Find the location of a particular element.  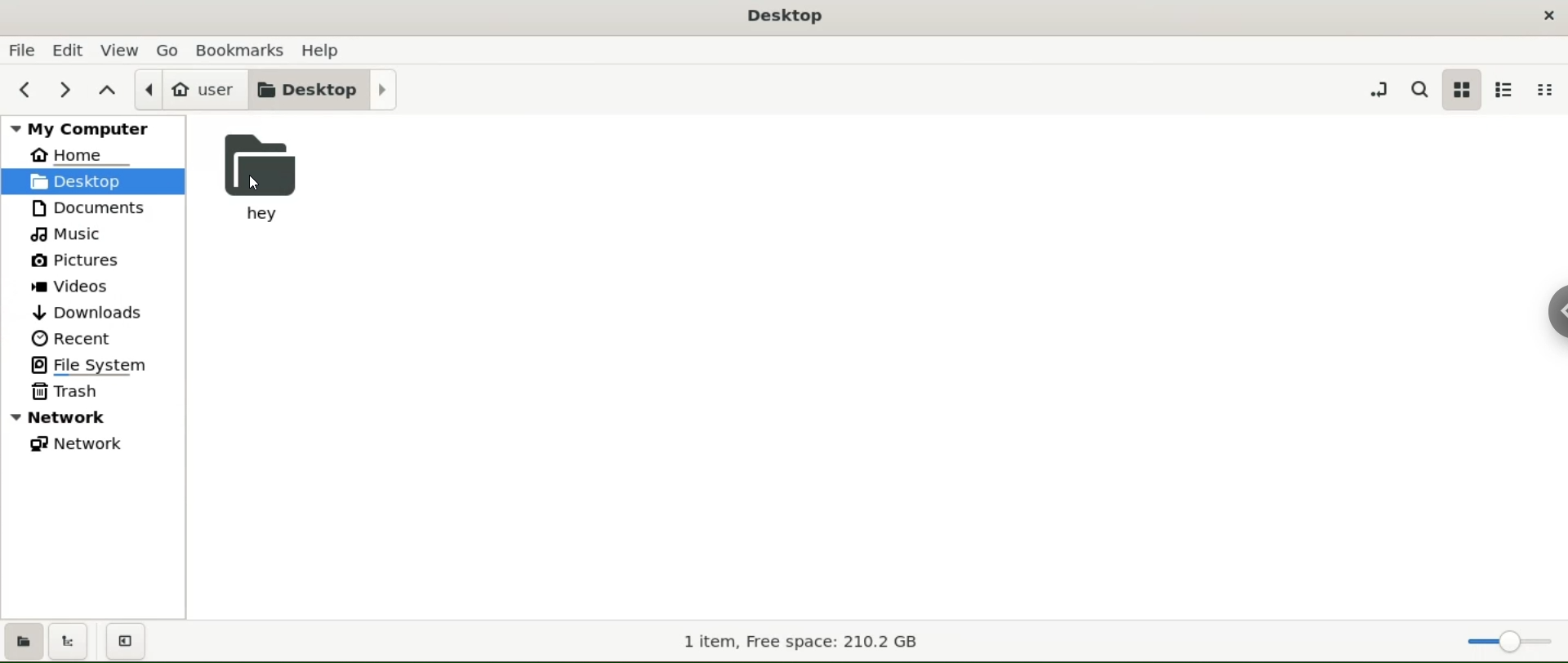

cursor is located at coordinates (258, 185).